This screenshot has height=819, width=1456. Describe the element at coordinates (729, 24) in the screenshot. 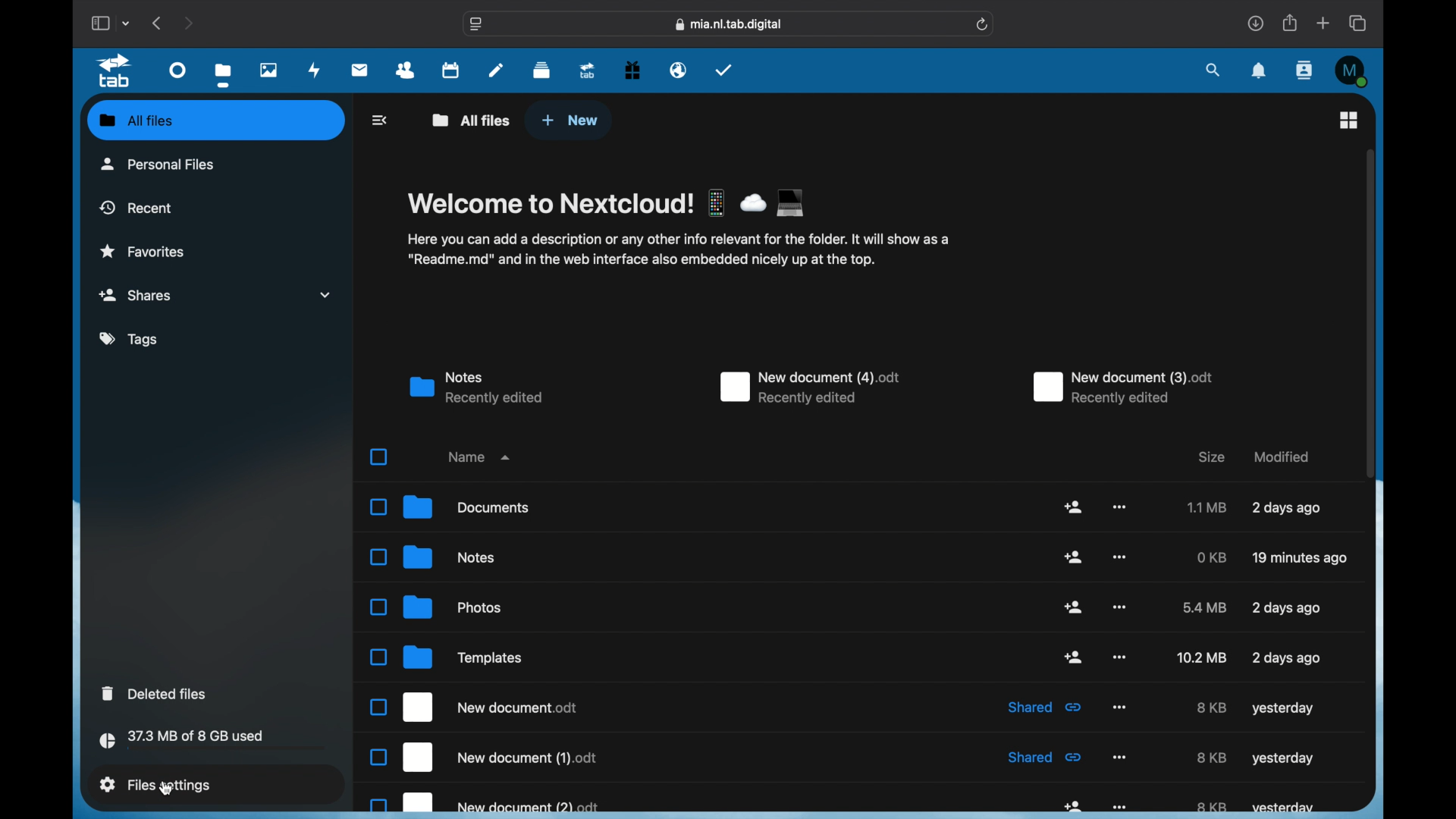

I see `web address` at that location.